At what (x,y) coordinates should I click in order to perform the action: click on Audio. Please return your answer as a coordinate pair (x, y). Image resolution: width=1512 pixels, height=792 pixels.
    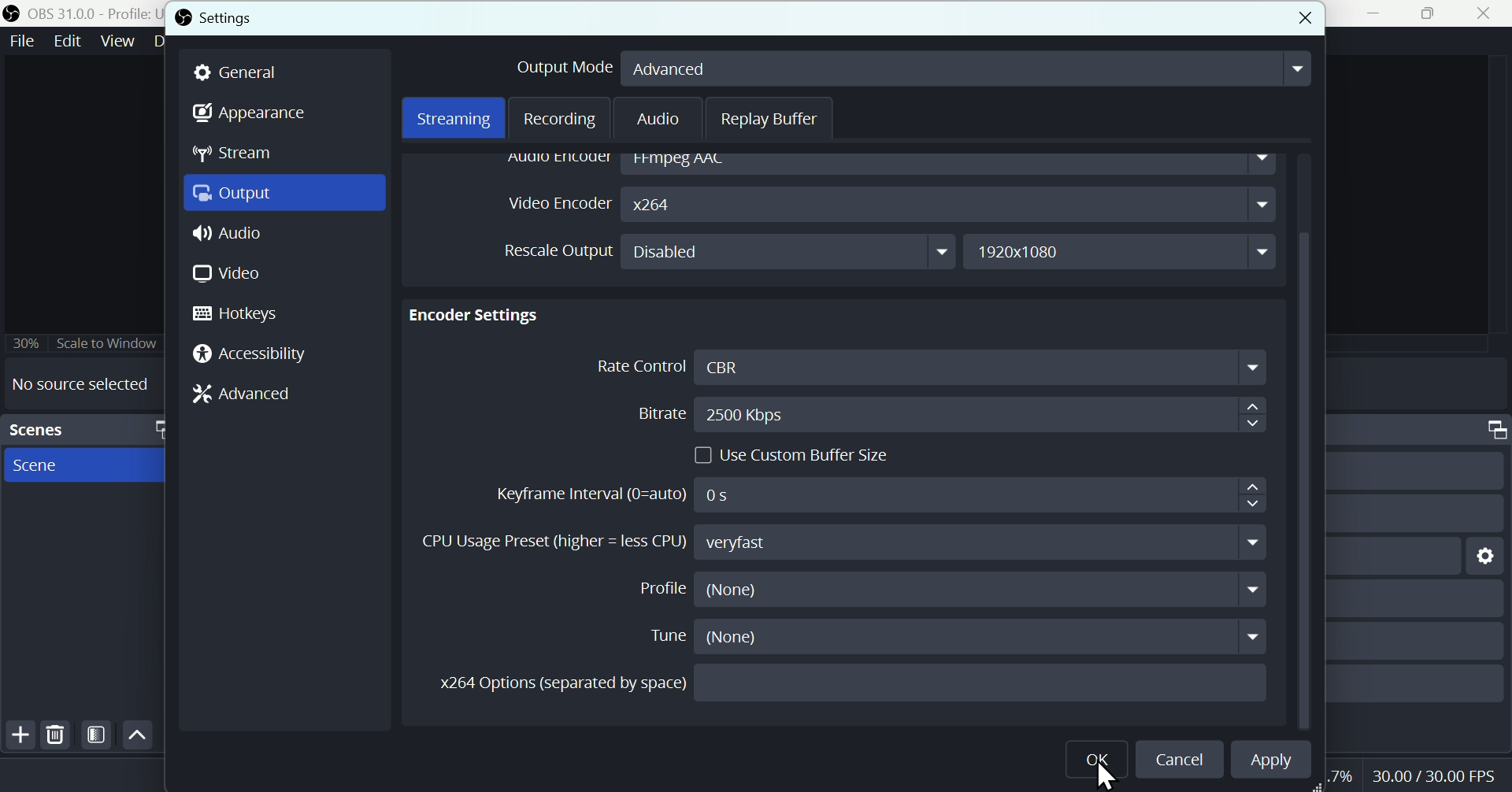
    Looking at the image, I should click on (283, 231).